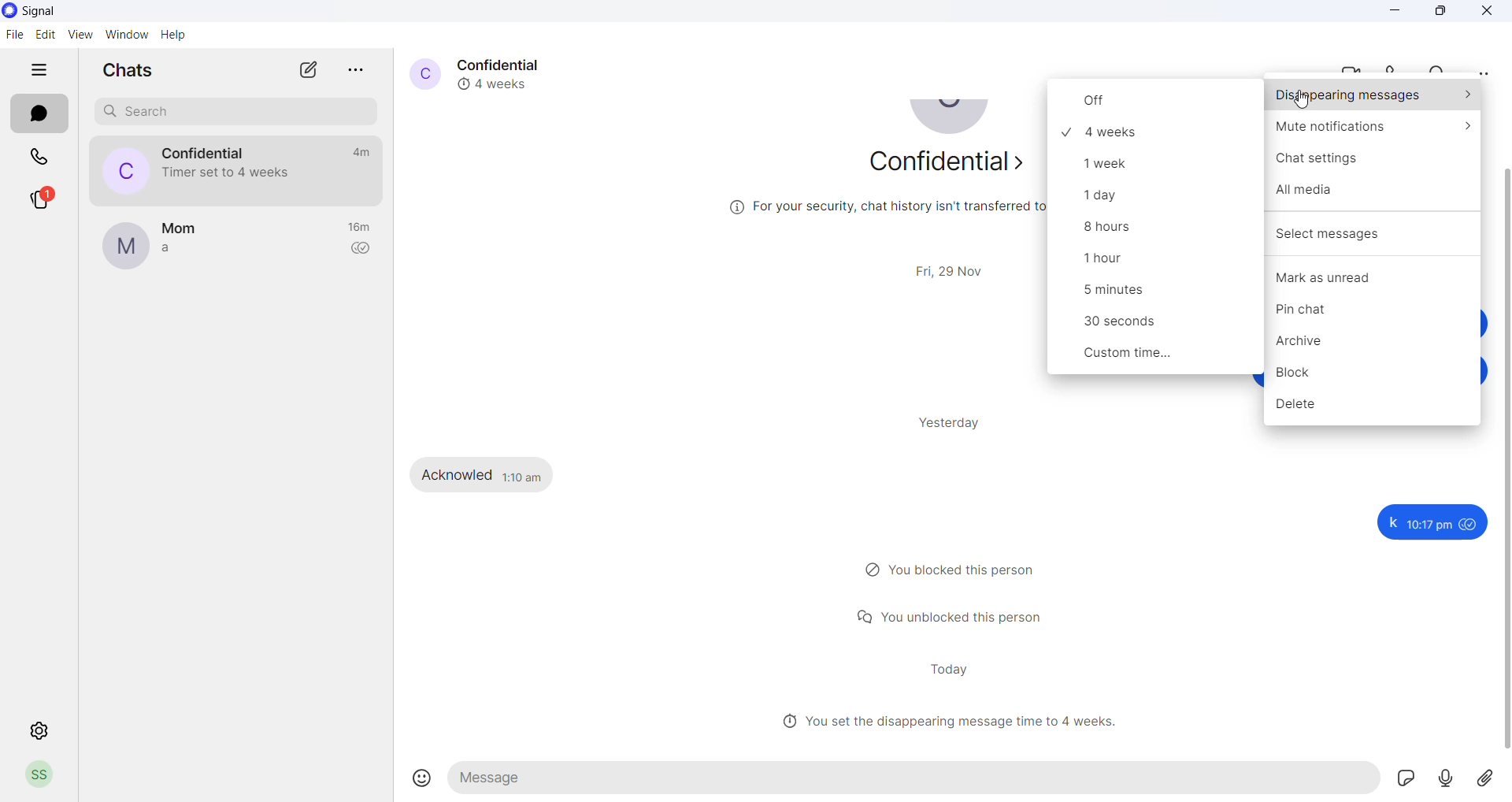 The width and height of the screenshot is (1512, 802). What do you see at coordinates (1440, 67) in the screenshot?
I see `search in messages` at bounding box center [1440, 67].